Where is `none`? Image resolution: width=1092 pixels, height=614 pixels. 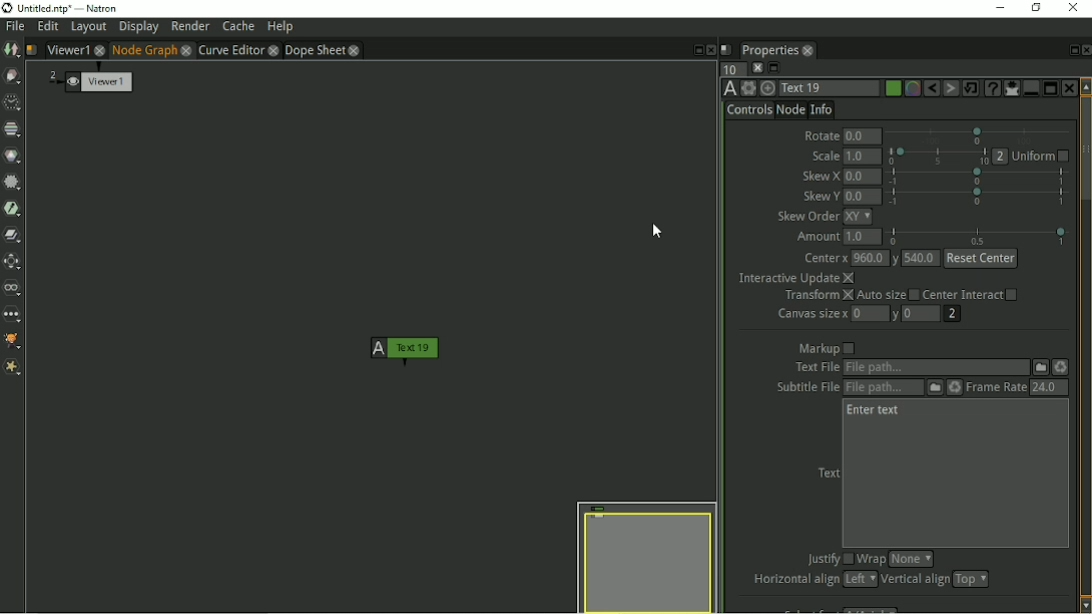
none is located at coordinates (911, 558).